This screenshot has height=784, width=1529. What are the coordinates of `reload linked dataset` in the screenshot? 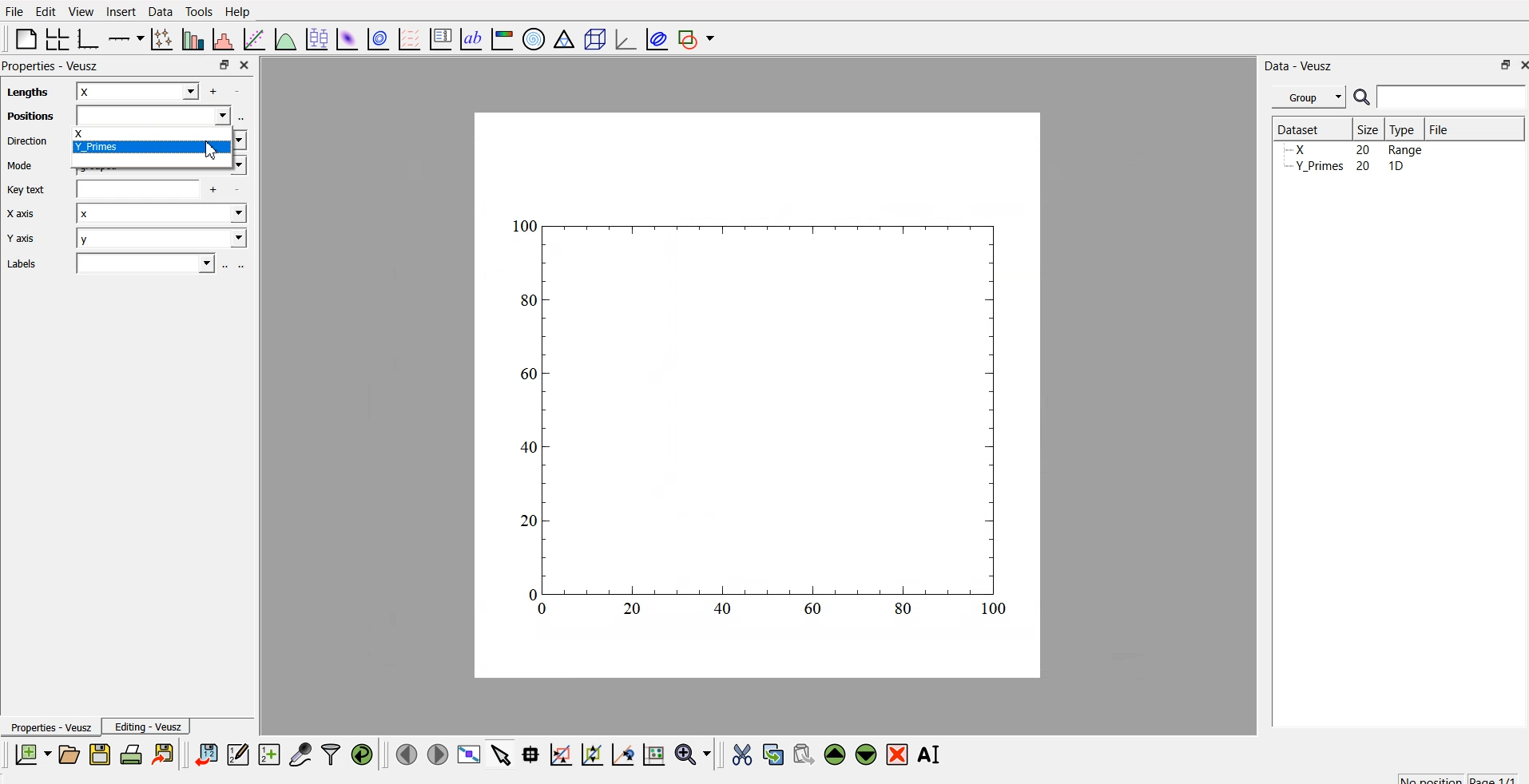 It's located at (362, 752).